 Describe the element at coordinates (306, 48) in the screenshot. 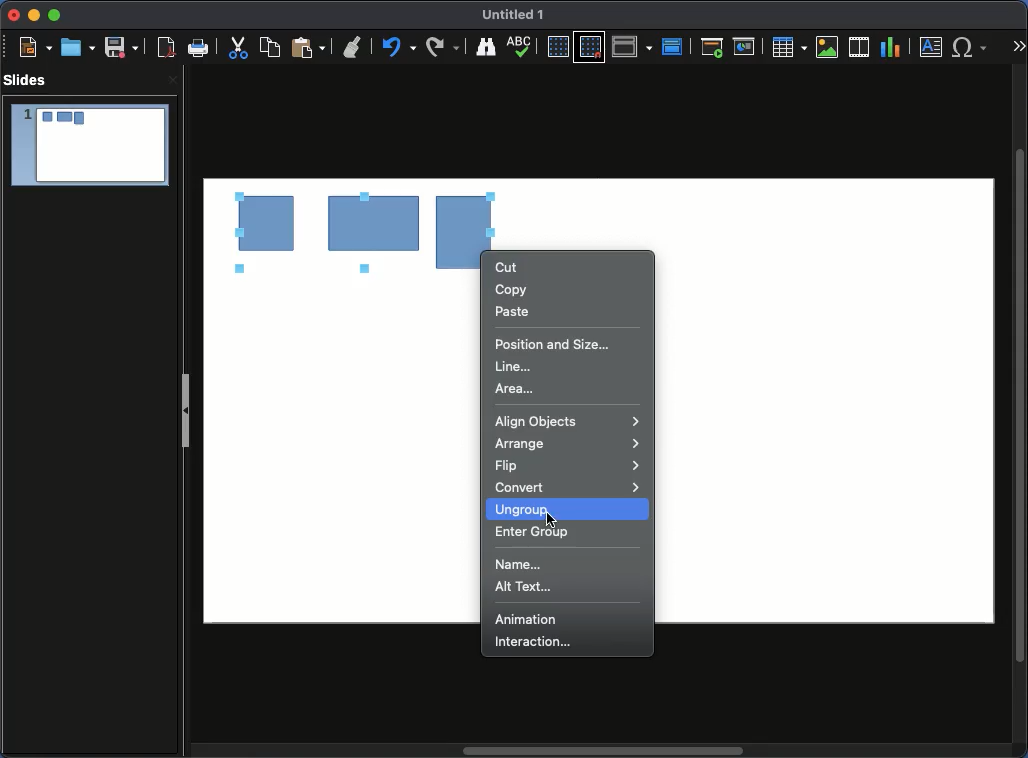

I see `Paste` at that location.